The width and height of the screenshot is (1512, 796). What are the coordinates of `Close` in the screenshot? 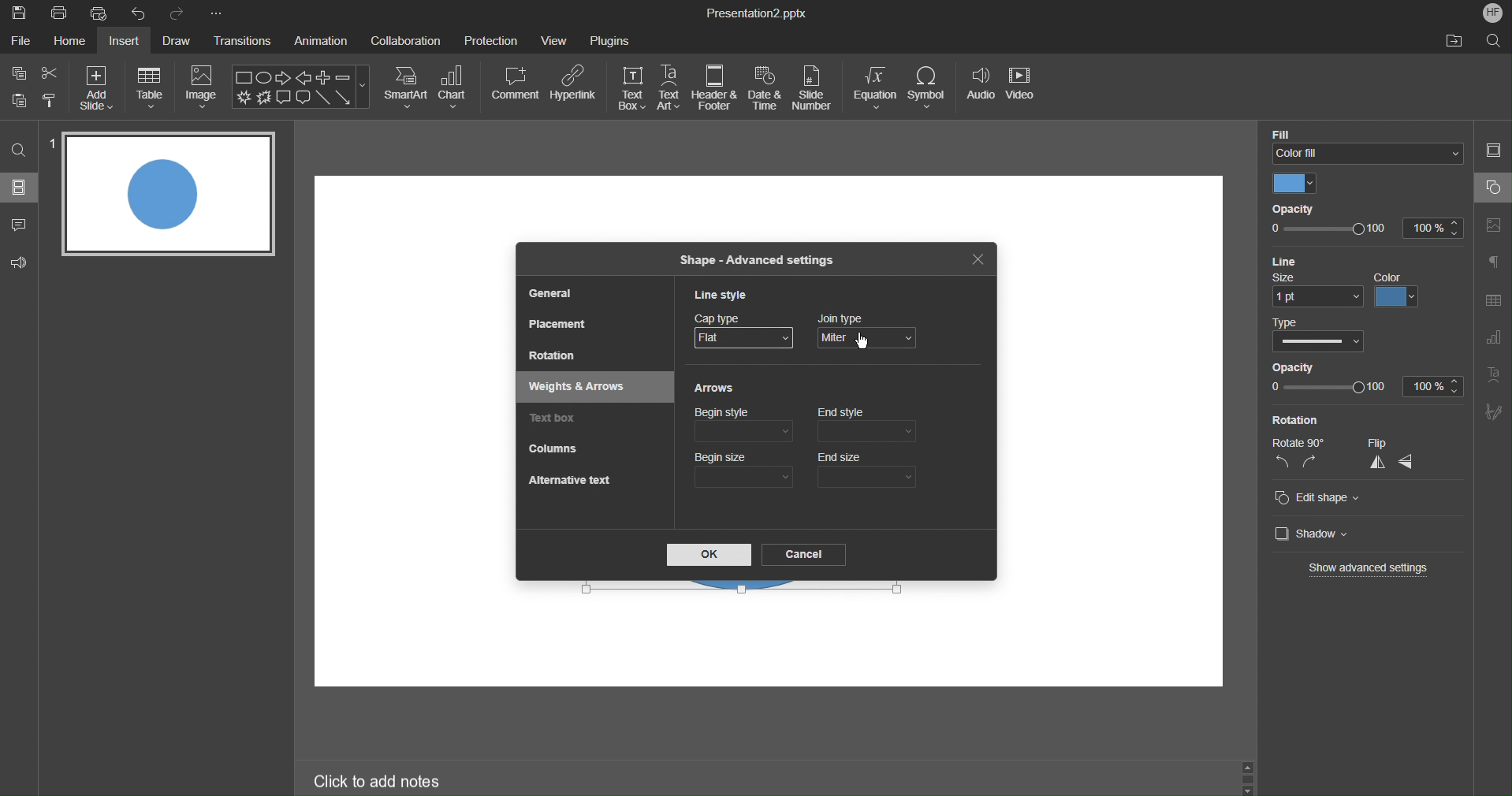 It's located at (978, 262).